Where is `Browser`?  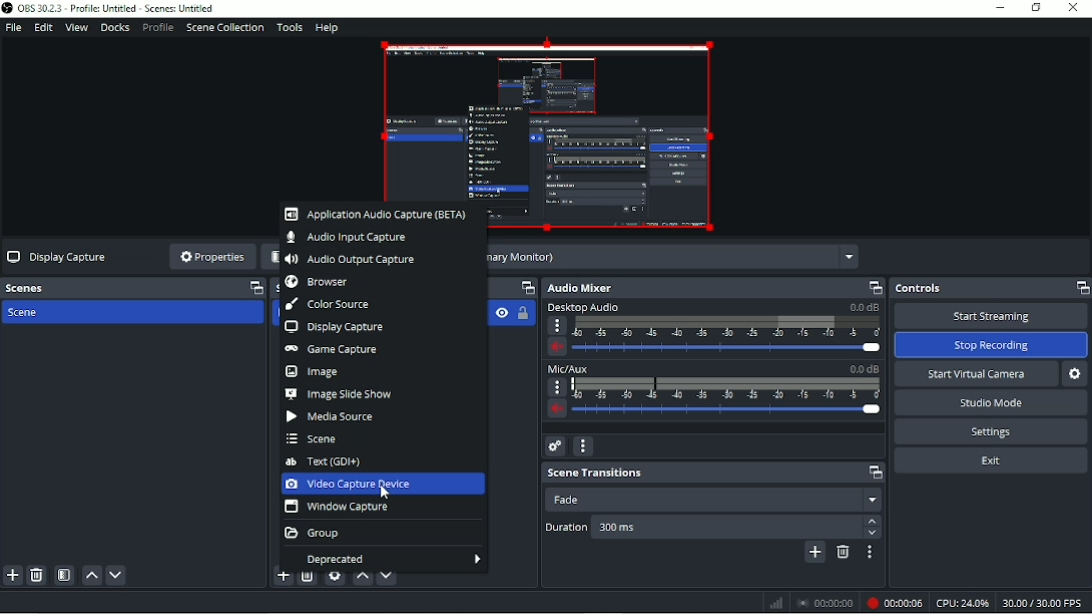 Browser is located at coordinates (322, 281).